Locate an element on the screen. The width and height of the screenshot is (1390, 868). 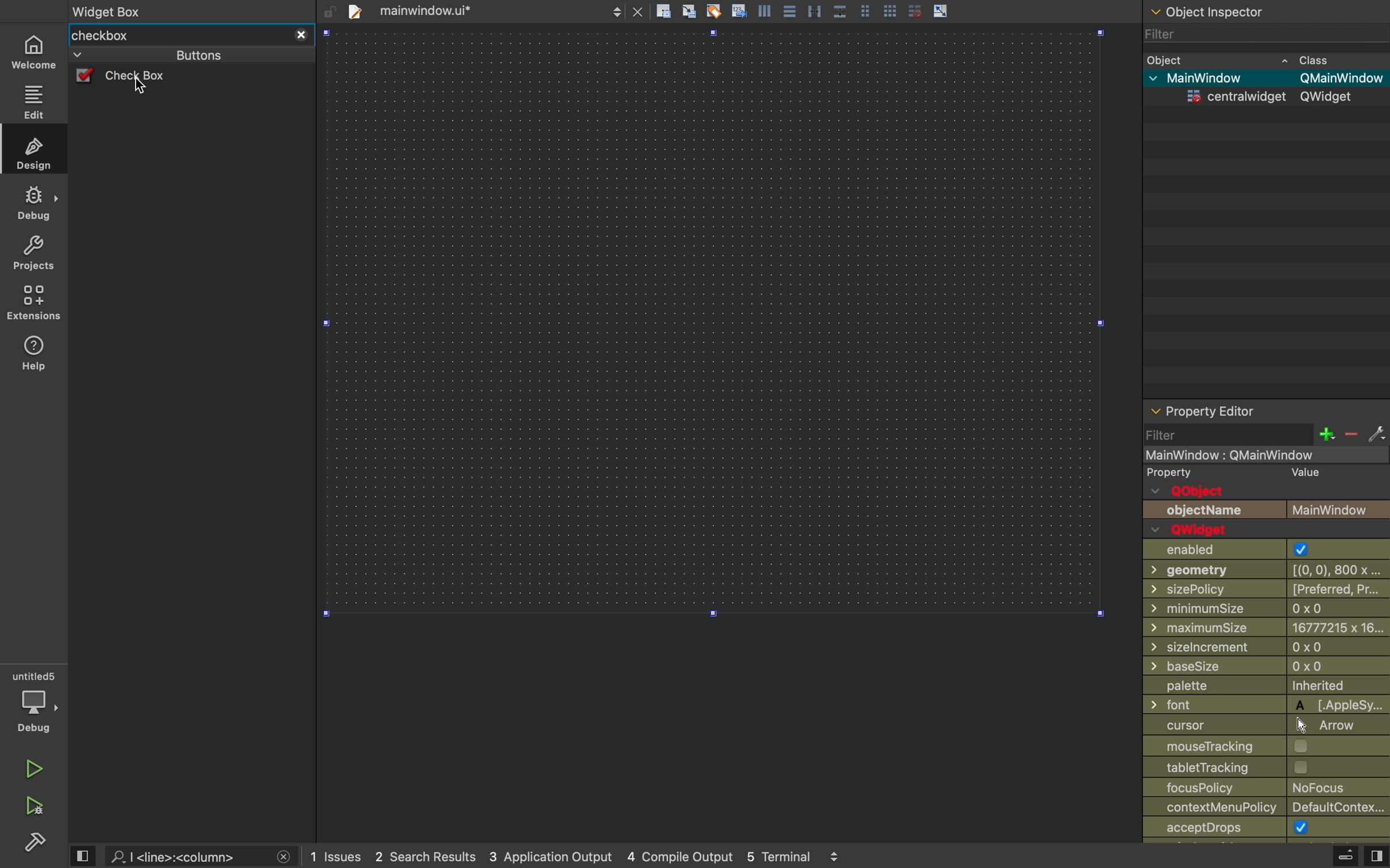
help is located at coordinates (33, 357).